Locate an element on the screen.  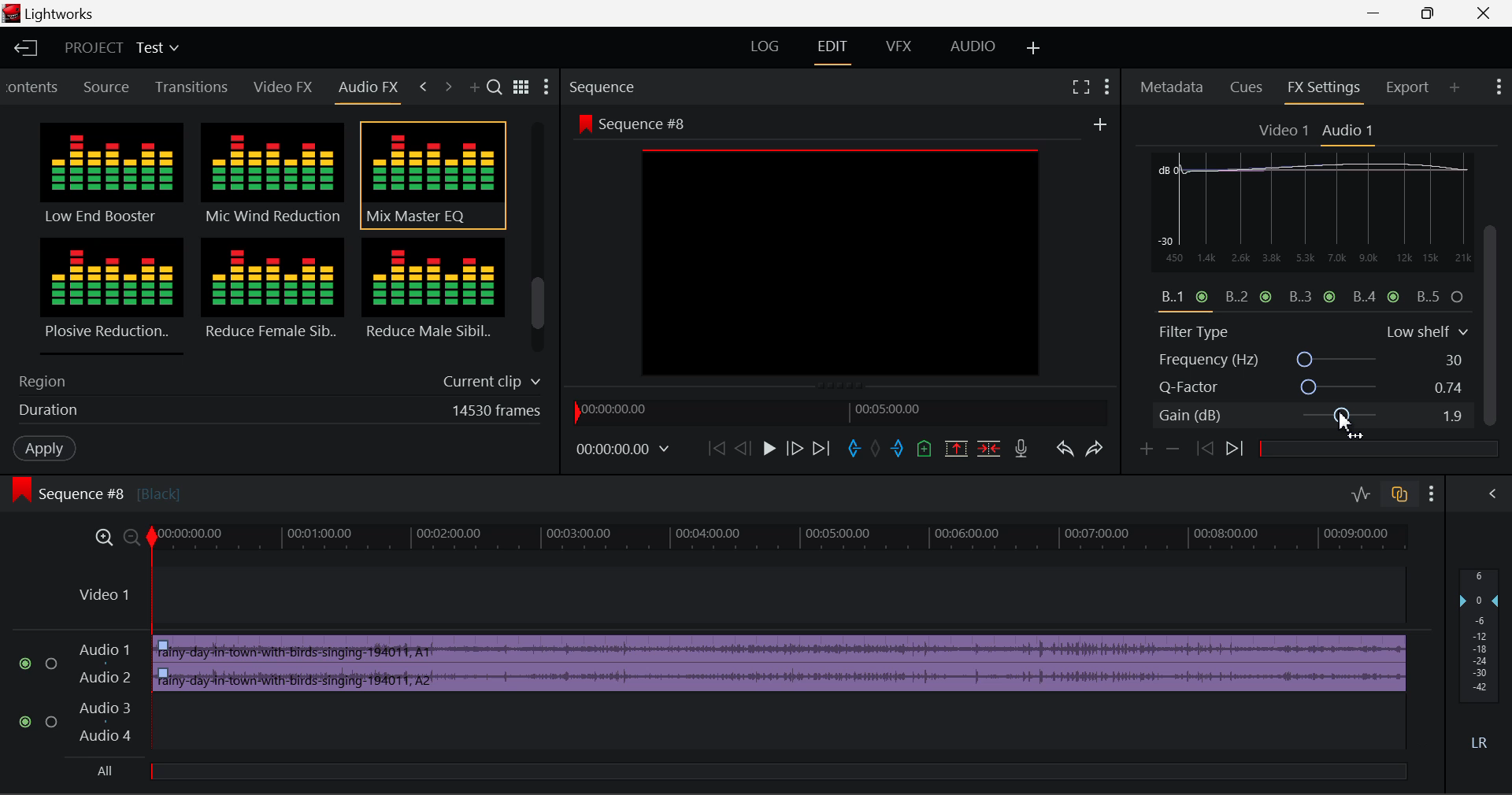
Previous Tab is located at coordinates (424, 84).